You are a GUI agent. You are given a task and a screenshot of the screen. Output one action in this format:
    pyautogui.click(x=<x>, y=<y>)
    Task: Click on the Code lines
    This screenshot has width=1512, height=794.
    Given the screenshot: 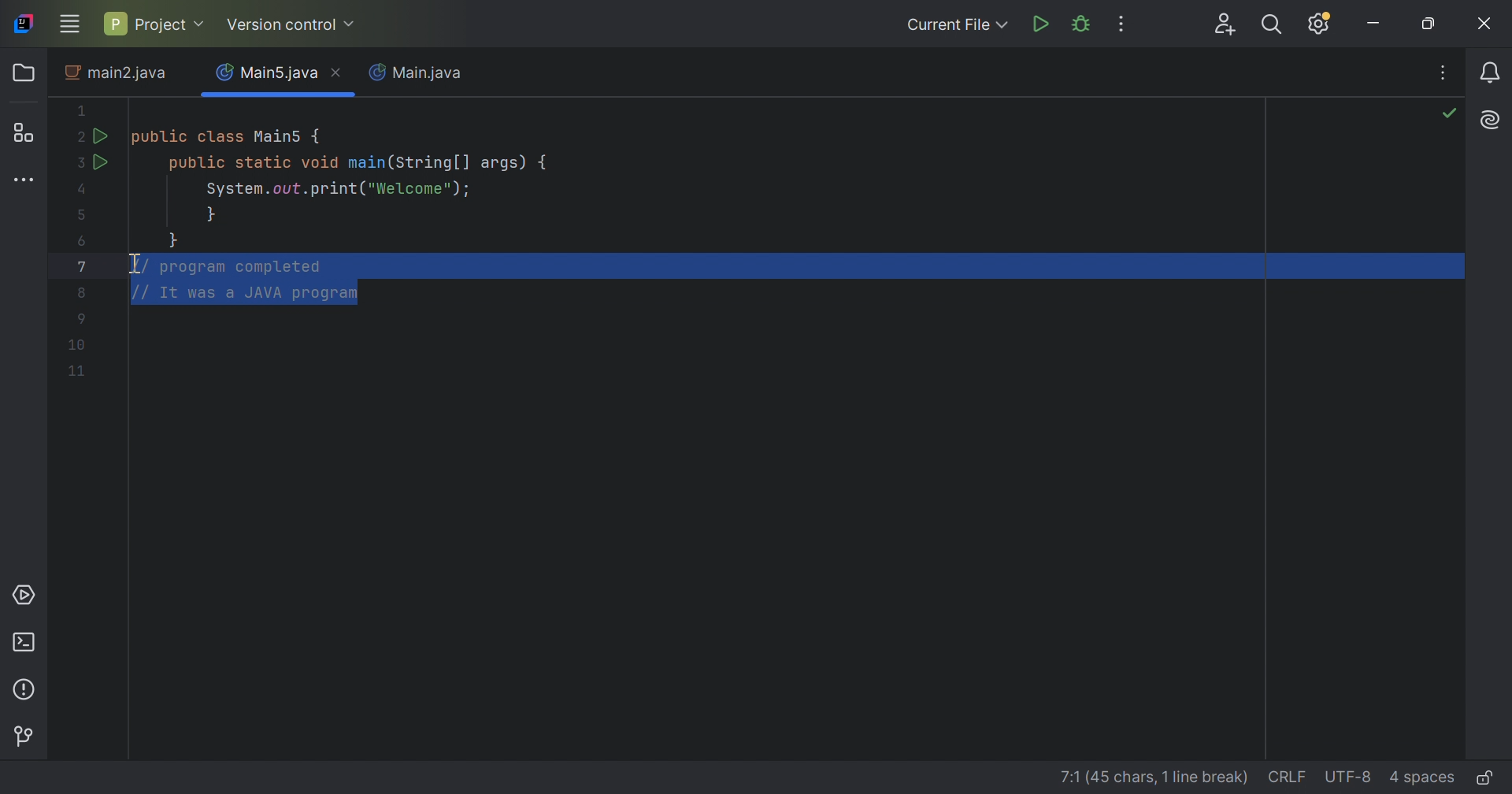 What is the action you would take?
    pyautogui.click(x=76, y=346)
    